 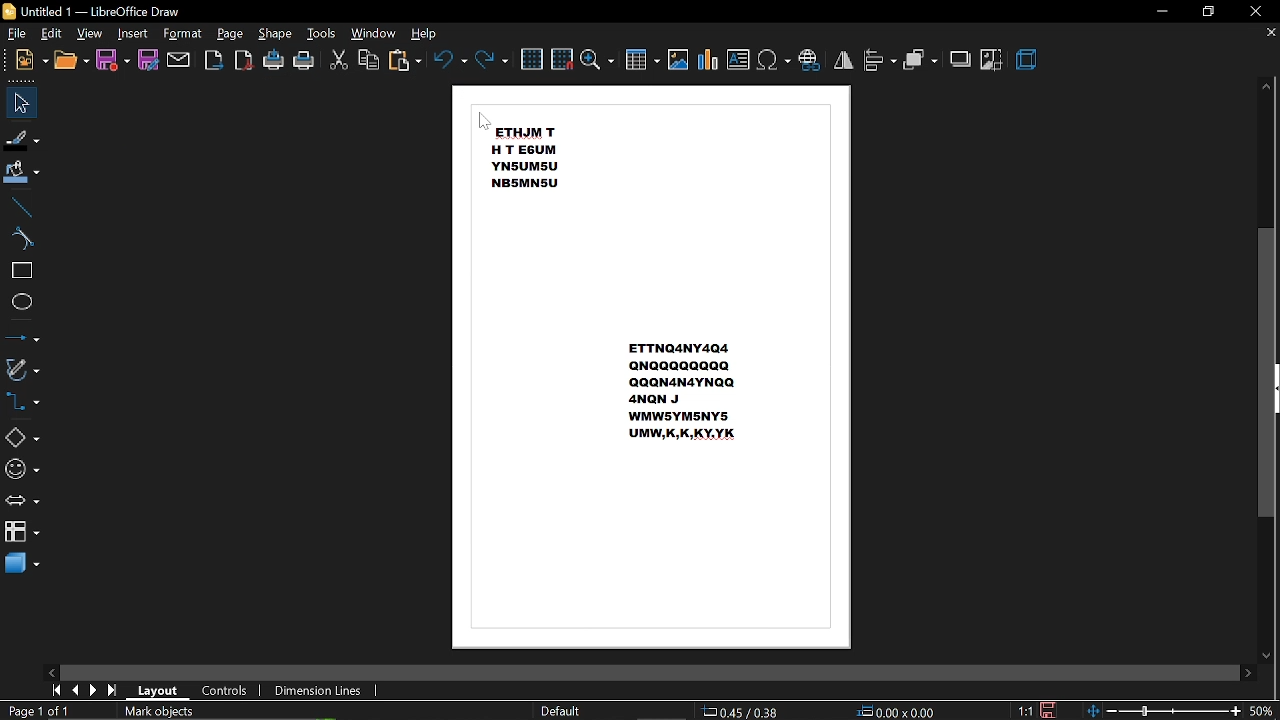 What do you see at coordinates (992, 60) in the screenshot?
I see `crop` at bounding box center [992, 60].